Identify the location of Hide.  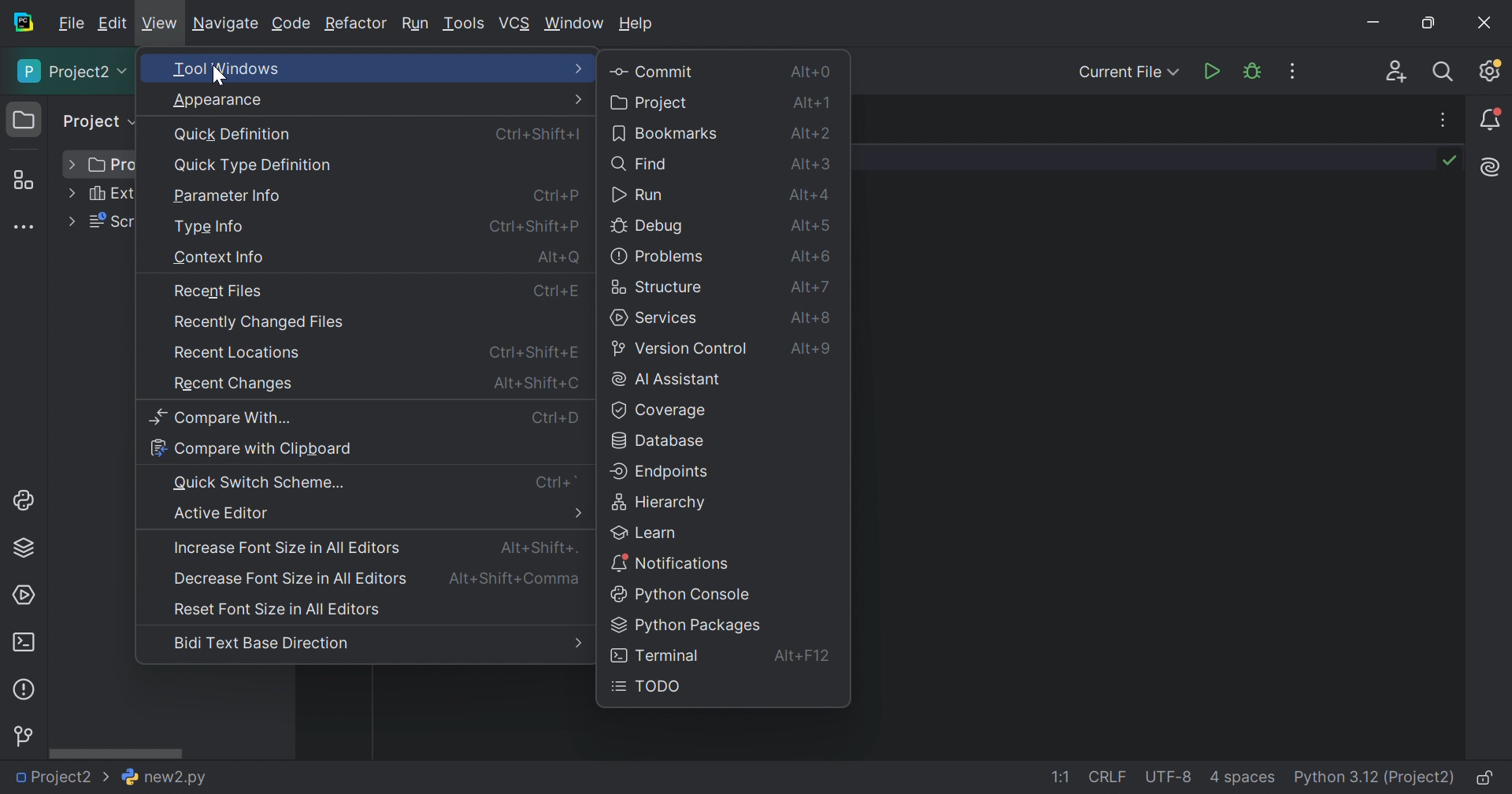
(1447, 121).